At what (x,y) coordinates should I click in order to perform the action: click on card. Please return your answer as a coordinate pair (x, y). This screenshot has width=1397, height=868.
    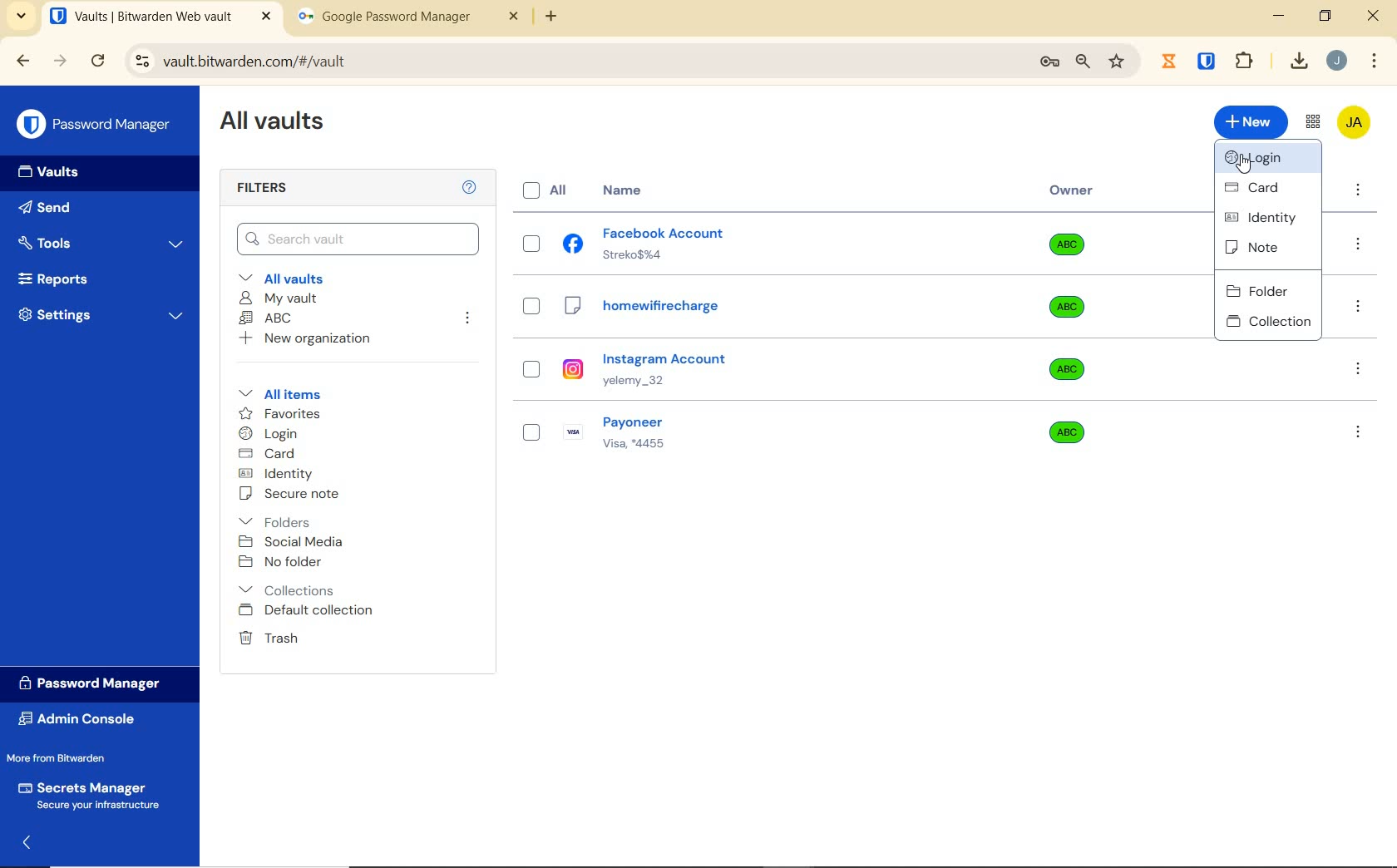
    Looking at the image, I should click on (266, 455).